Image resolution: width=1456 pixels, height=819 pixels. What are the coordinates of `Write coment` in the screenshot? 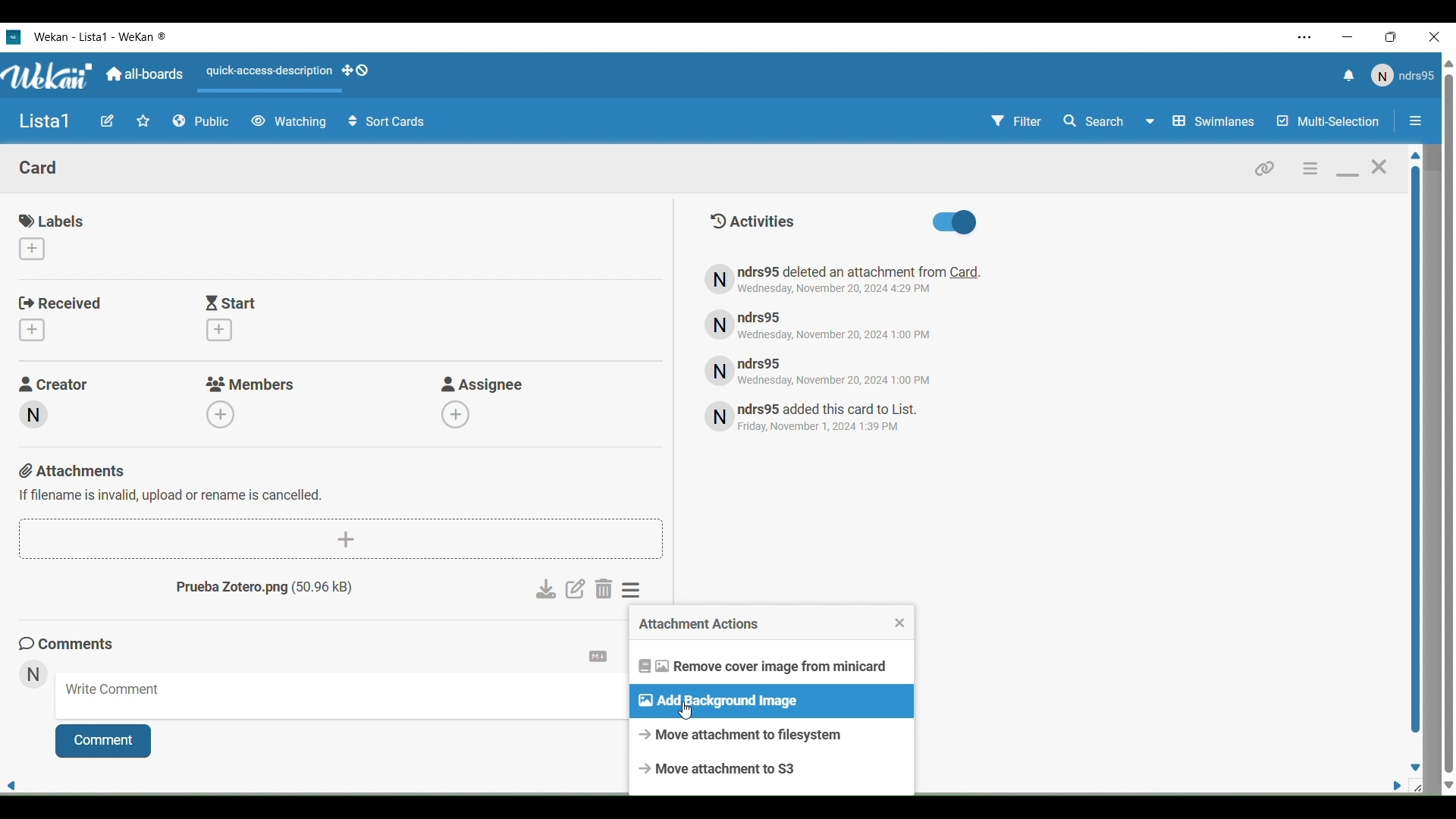 It's located at (341, 696).